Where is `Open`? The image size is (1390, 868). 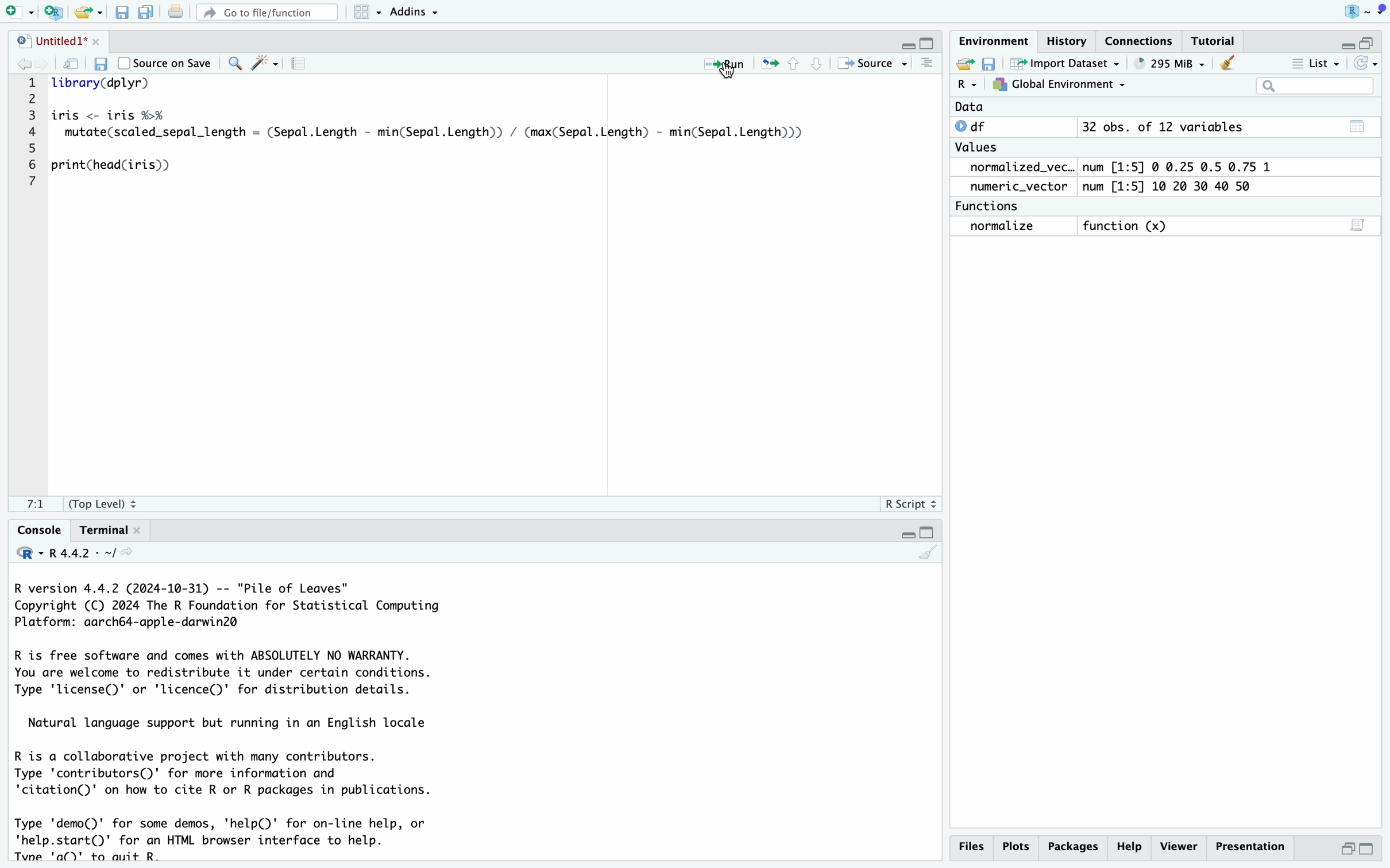
Open is located at coordinates (963, 63).